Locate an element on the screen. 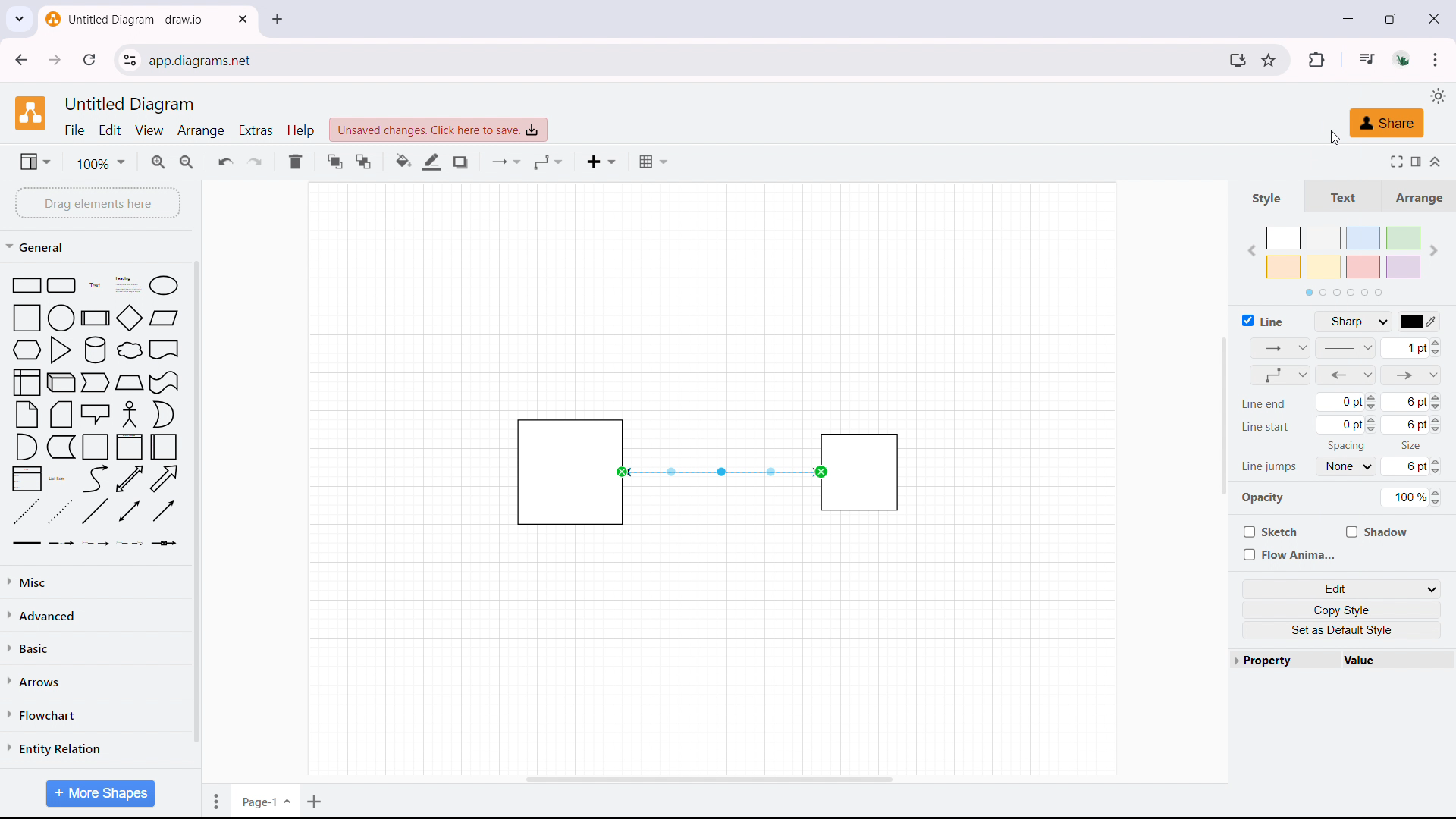 The image size is (1456, 819). extensions is located at coordinates (1316, 59).